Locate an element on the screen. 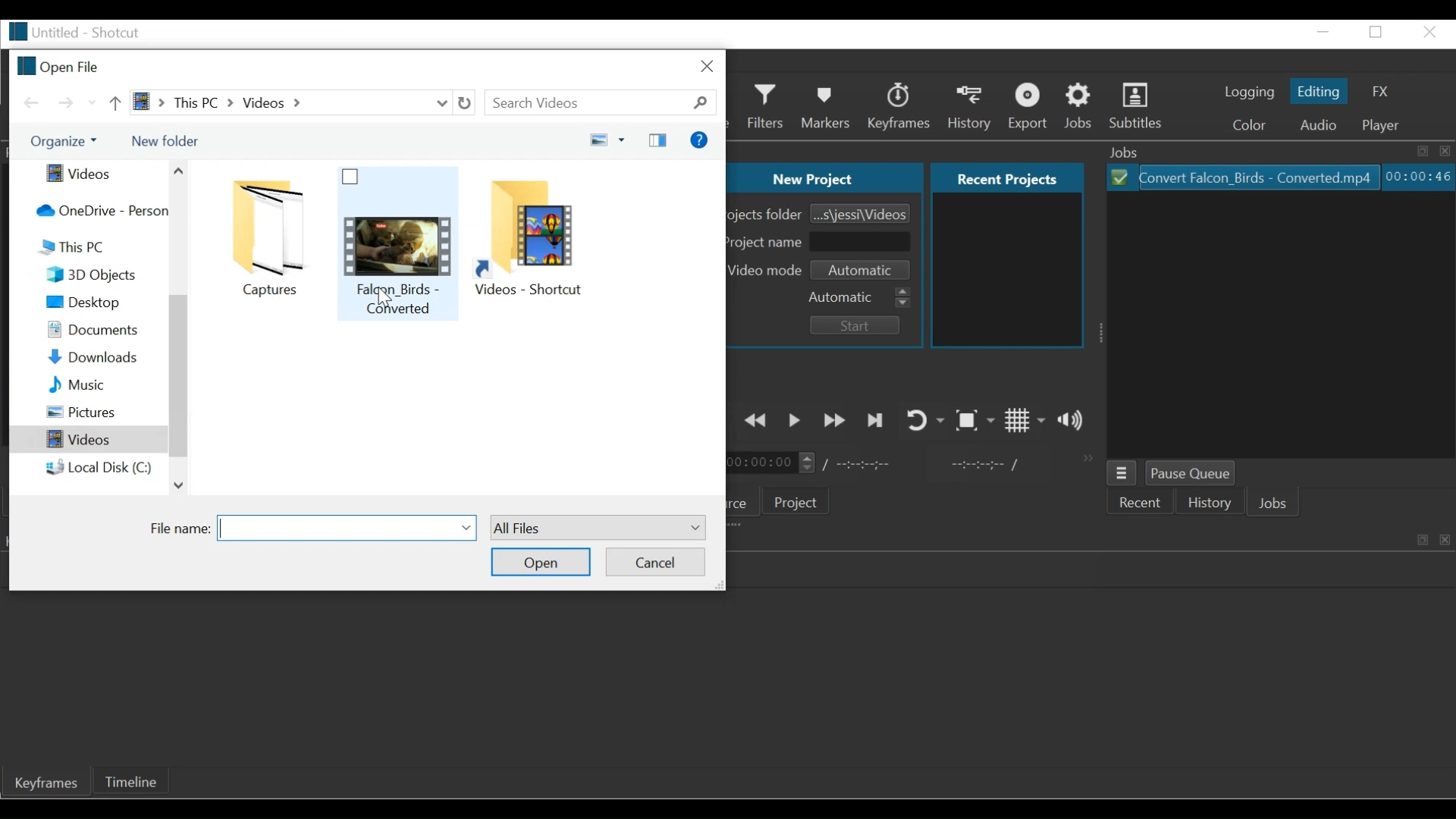 The height and width of the screenshot is (819, 1456). Downloads is located at coordinates (99, 356).